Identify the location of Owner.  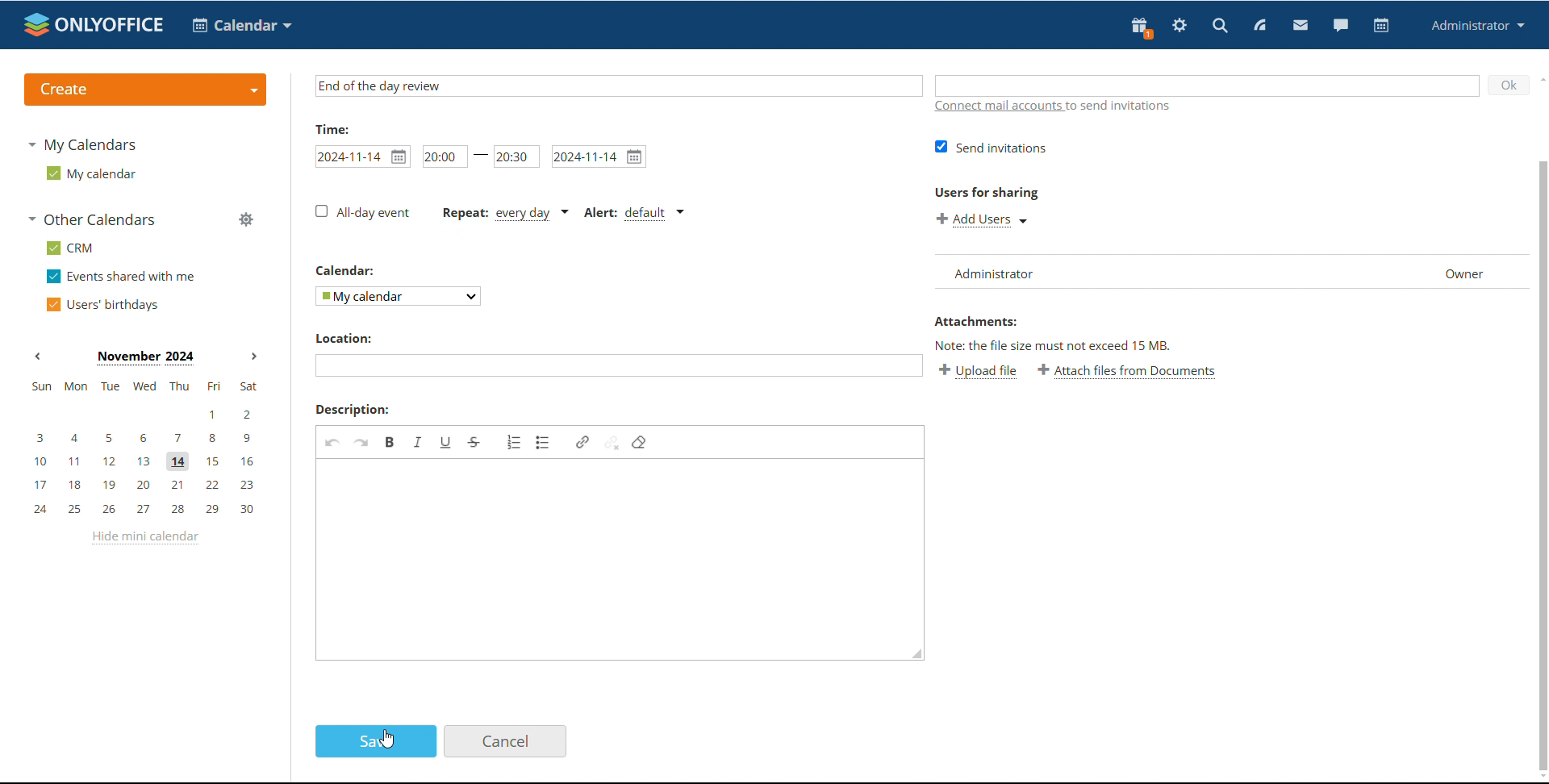
(1472, 271).